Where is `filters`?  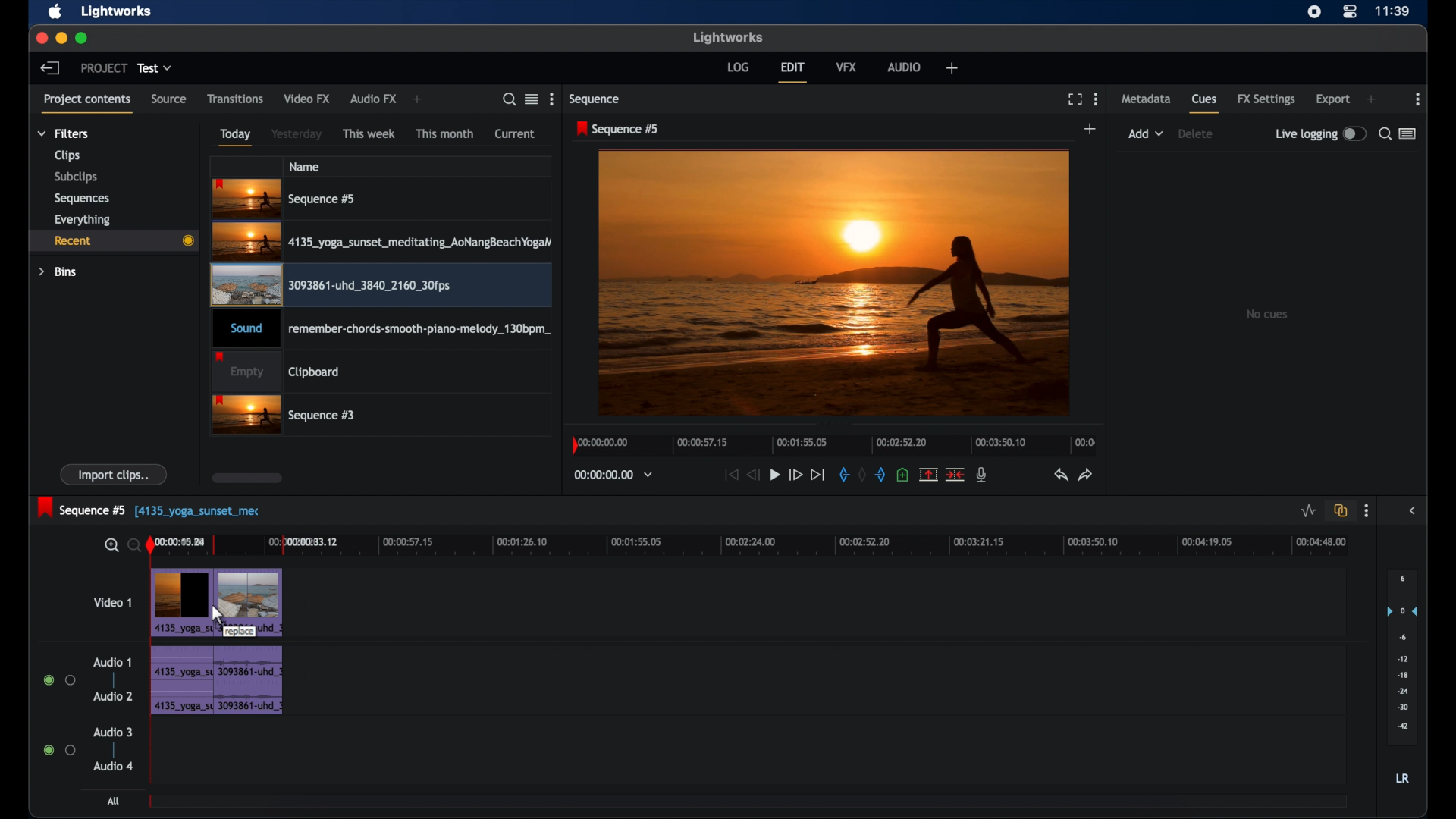 filters is located at coordinates (64, 133).